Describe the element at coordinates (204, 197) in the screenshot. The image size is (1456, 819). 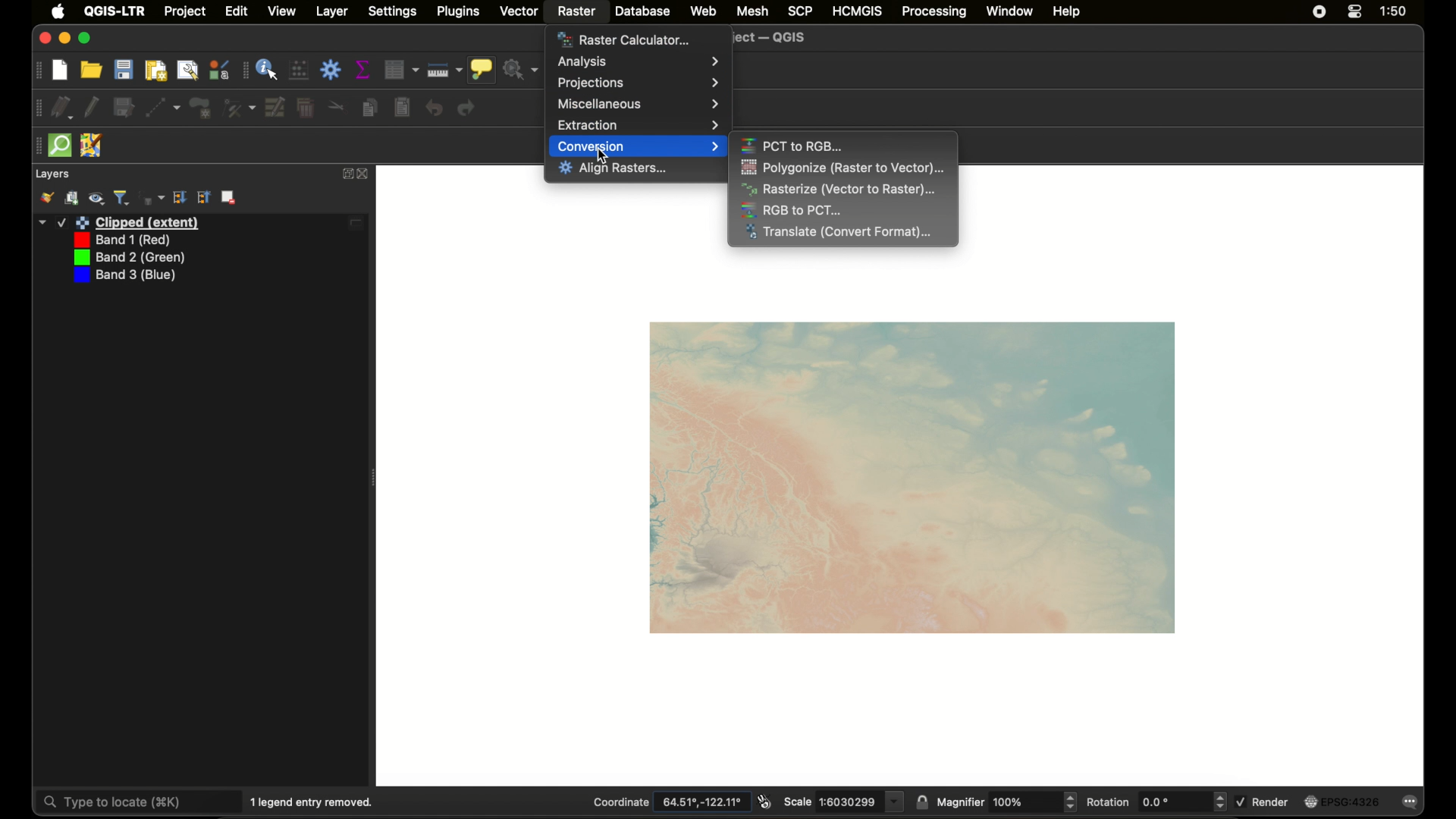
I see `expand all` at that location.